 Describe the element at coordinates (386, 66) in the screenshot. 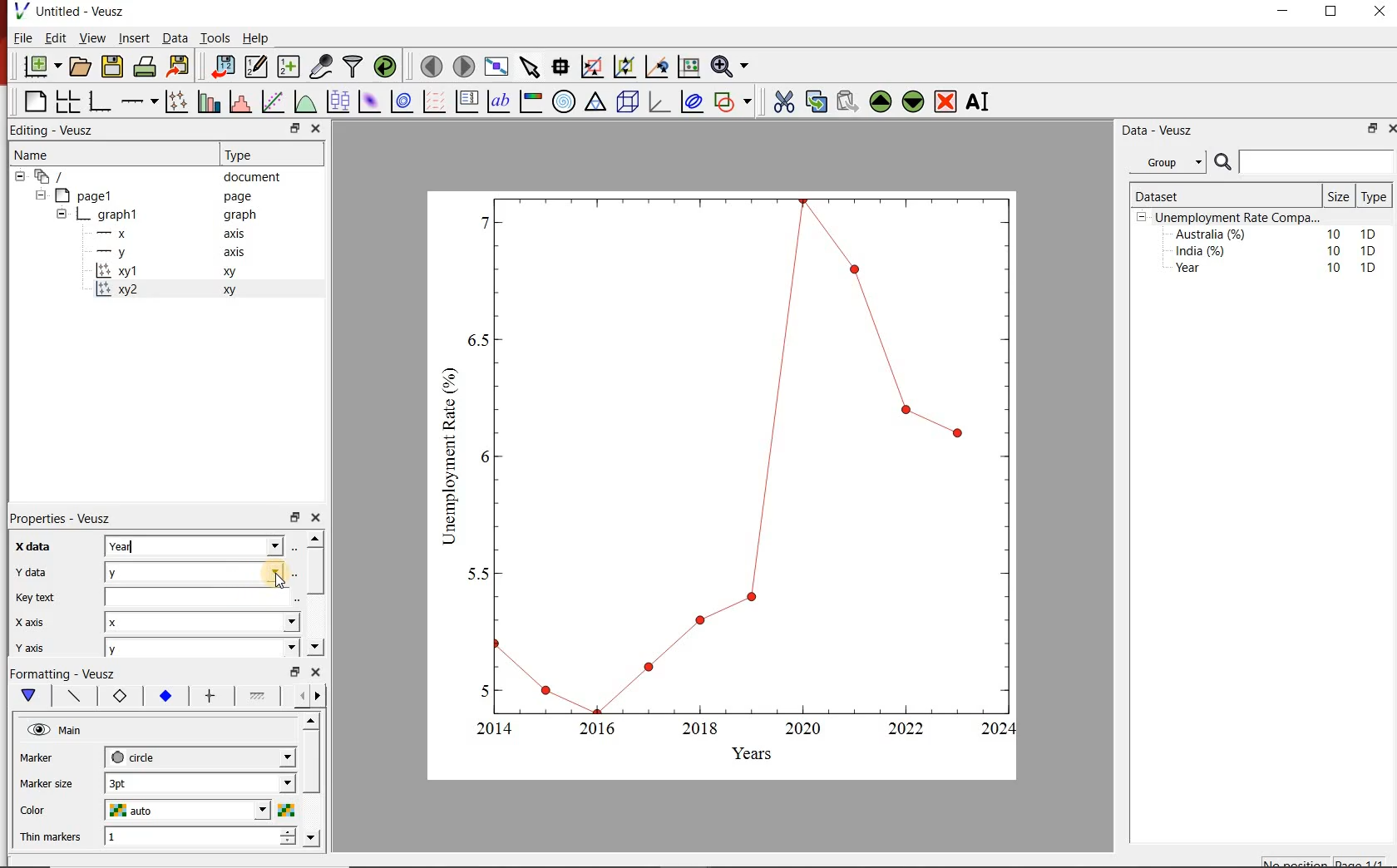

I see `reload datasets` at that location.